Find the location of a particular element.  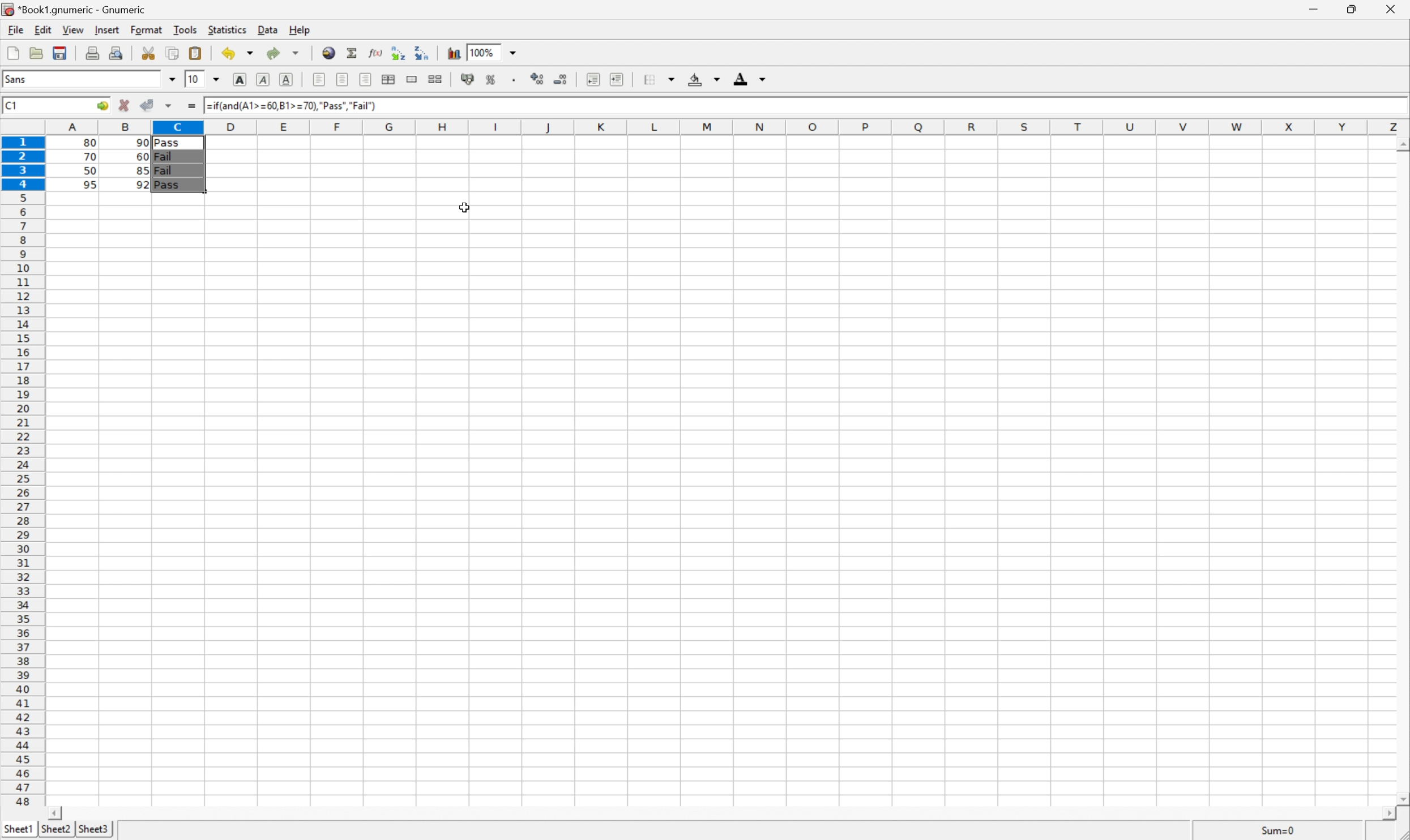

Tools is located at coordinates (184, 29).